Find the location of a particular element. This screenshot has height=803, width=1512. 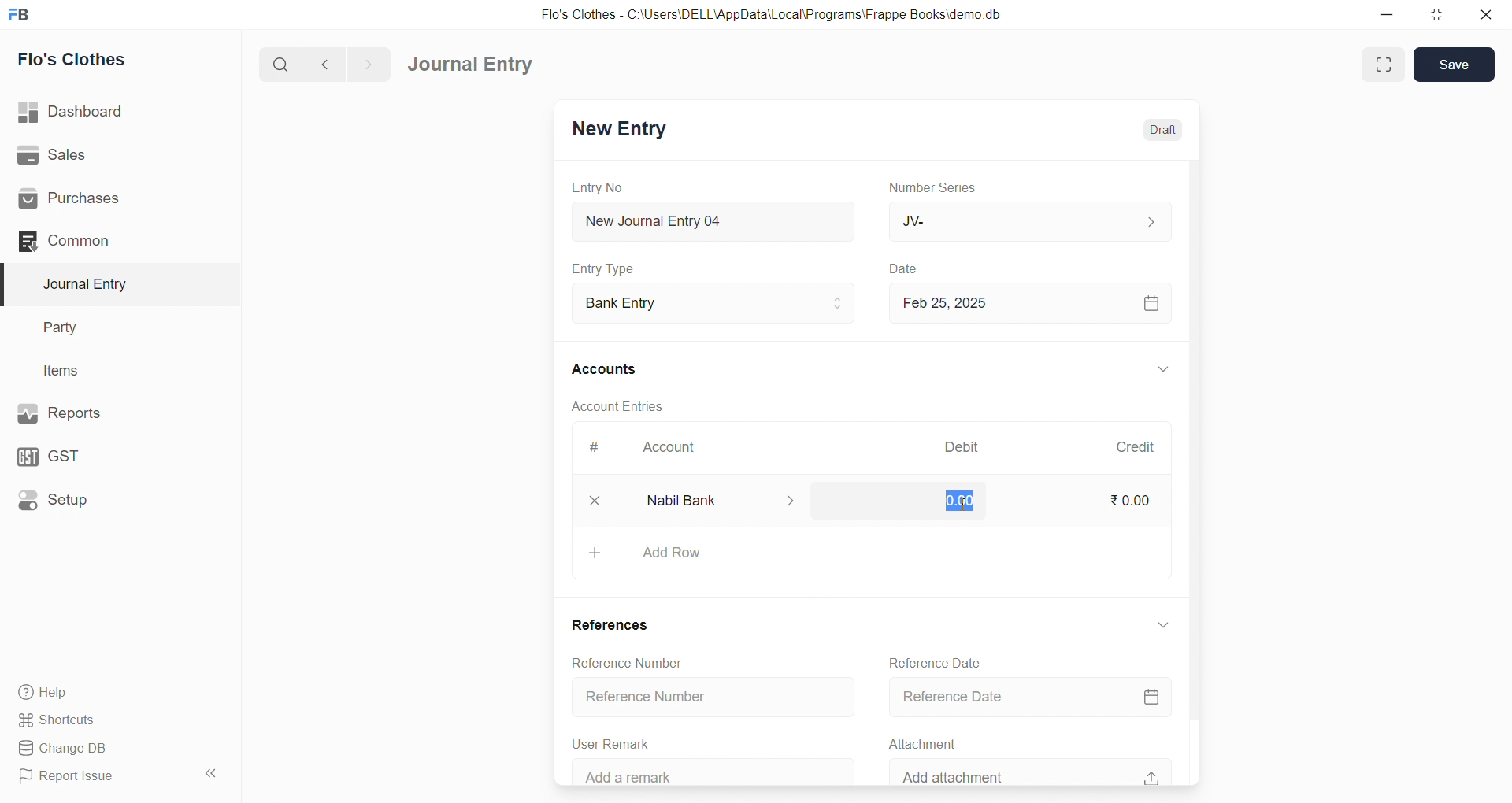

Help is located at coordinates (114, 691).